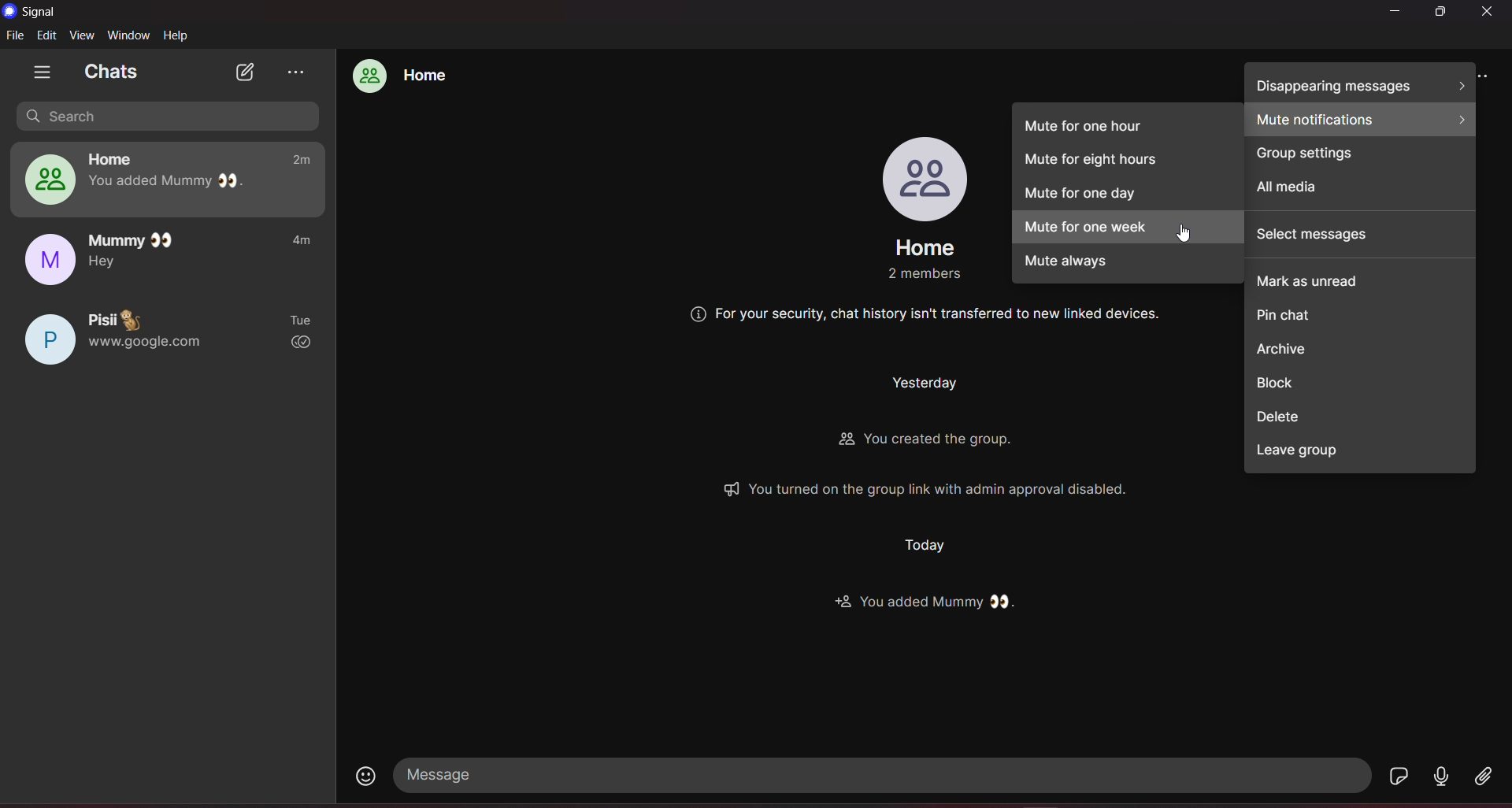 This screenshot has width=1512, height=808. What do you see at coordinates (1360, 236) in the screenshot?
I see `select messages` at bounding box center [1360, 236].